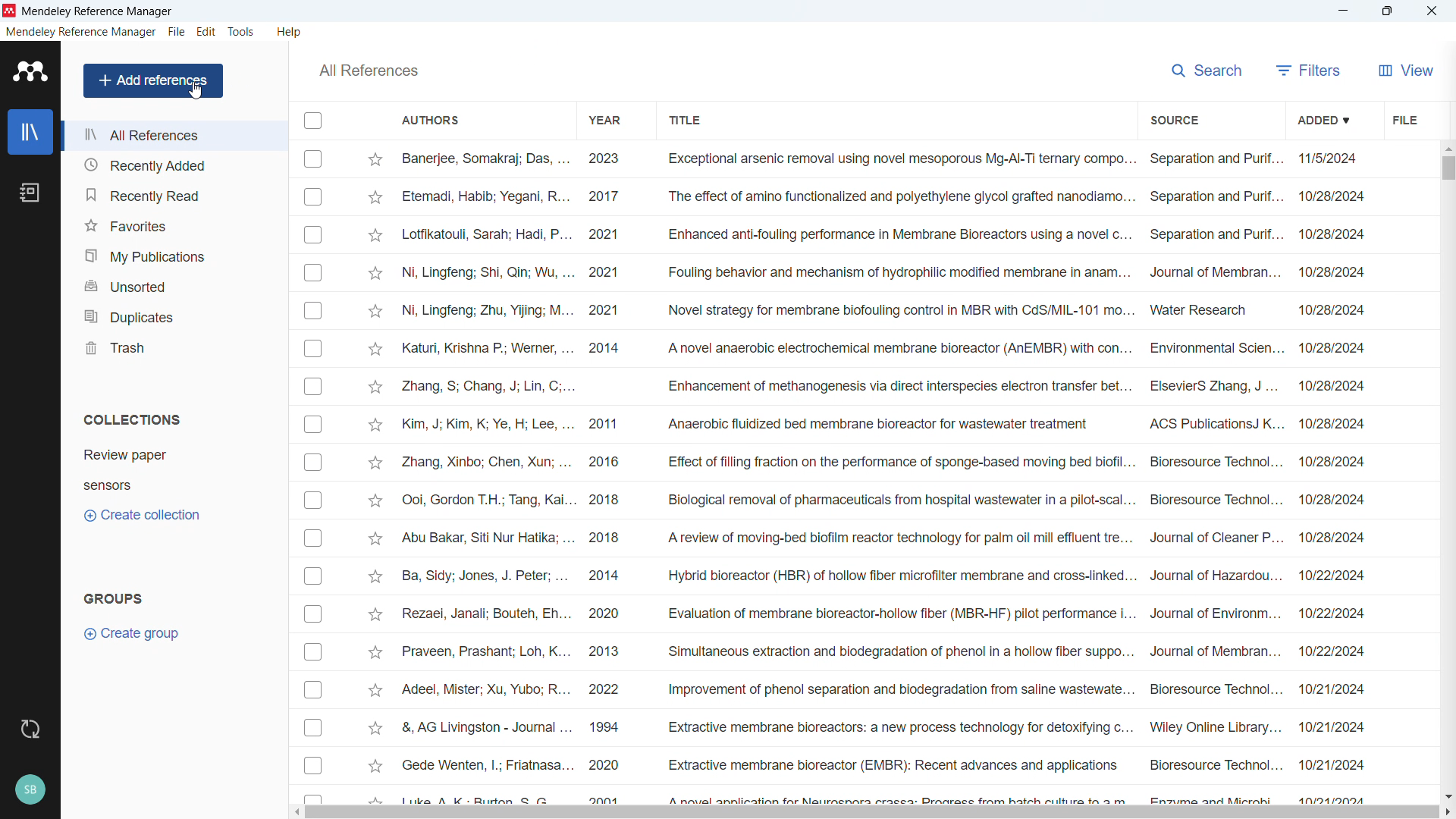 Image resolution: width=1456 pixels, height=819 pixels. I want to click on help , so click(290, 32).